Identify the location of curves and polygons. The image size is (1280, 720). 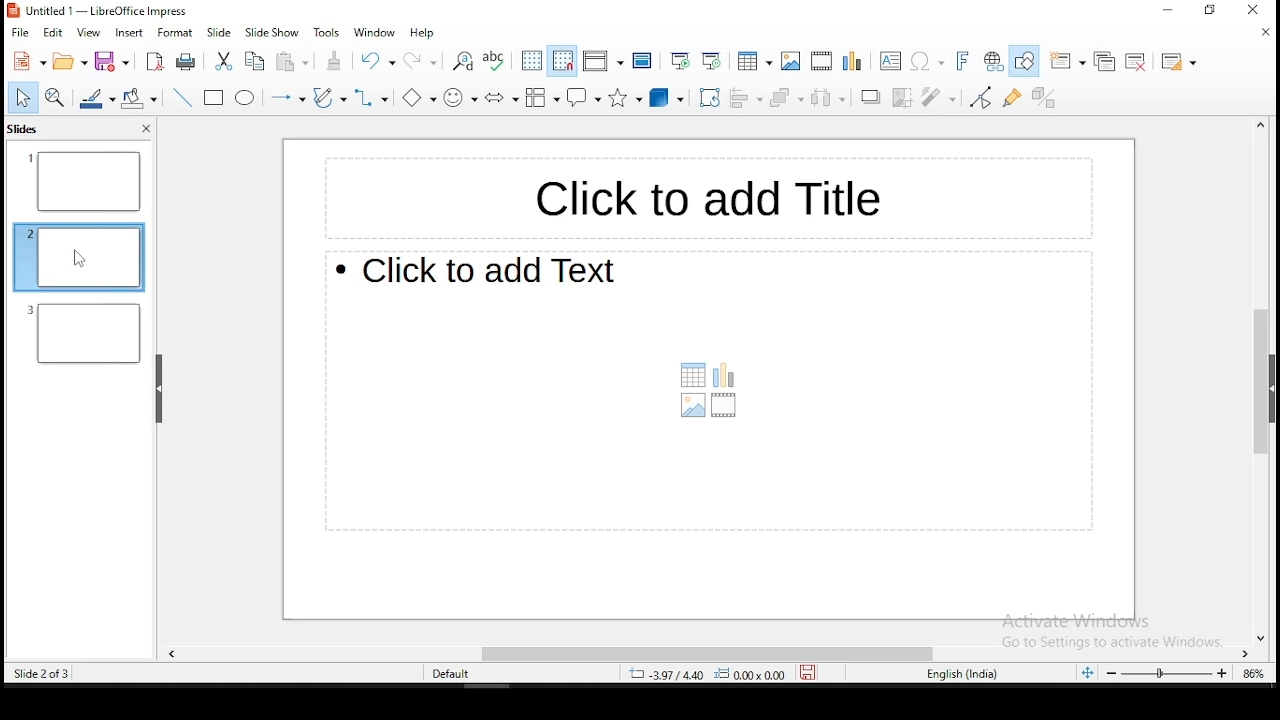
(330, 99).